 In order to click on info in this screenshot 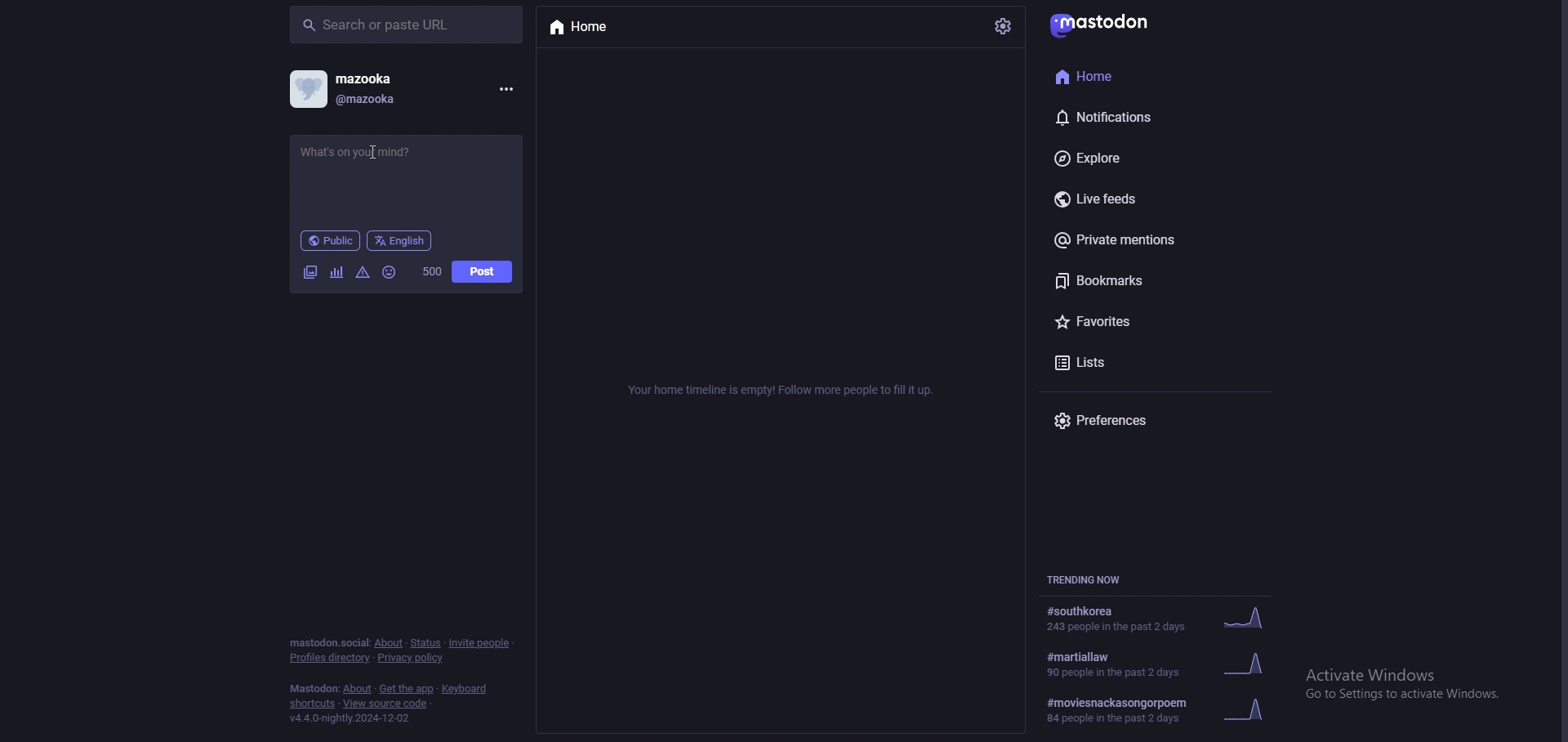, I will do `click(786, 388)`.